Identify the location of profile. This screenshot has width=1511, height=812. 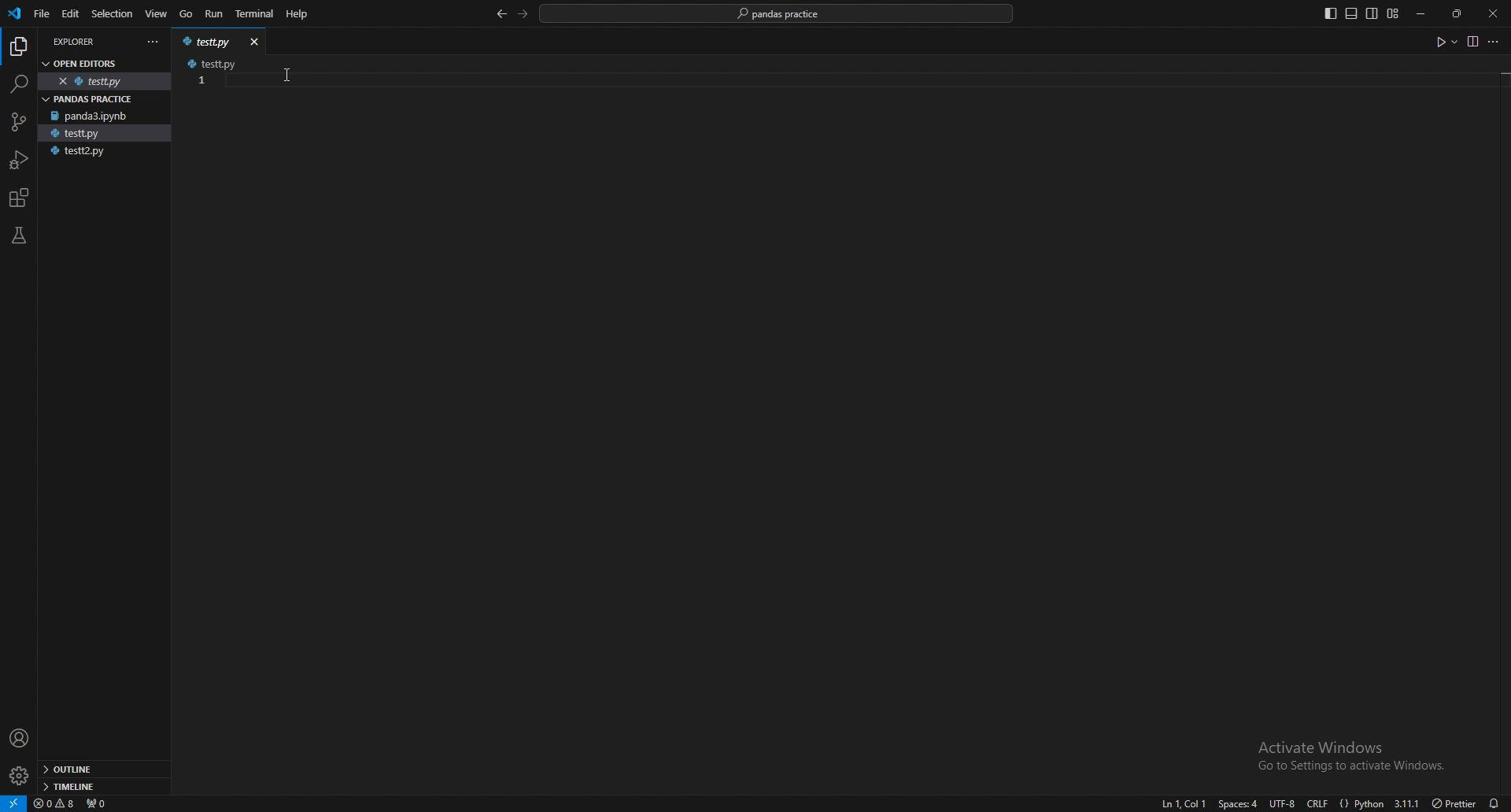
(20, 739).